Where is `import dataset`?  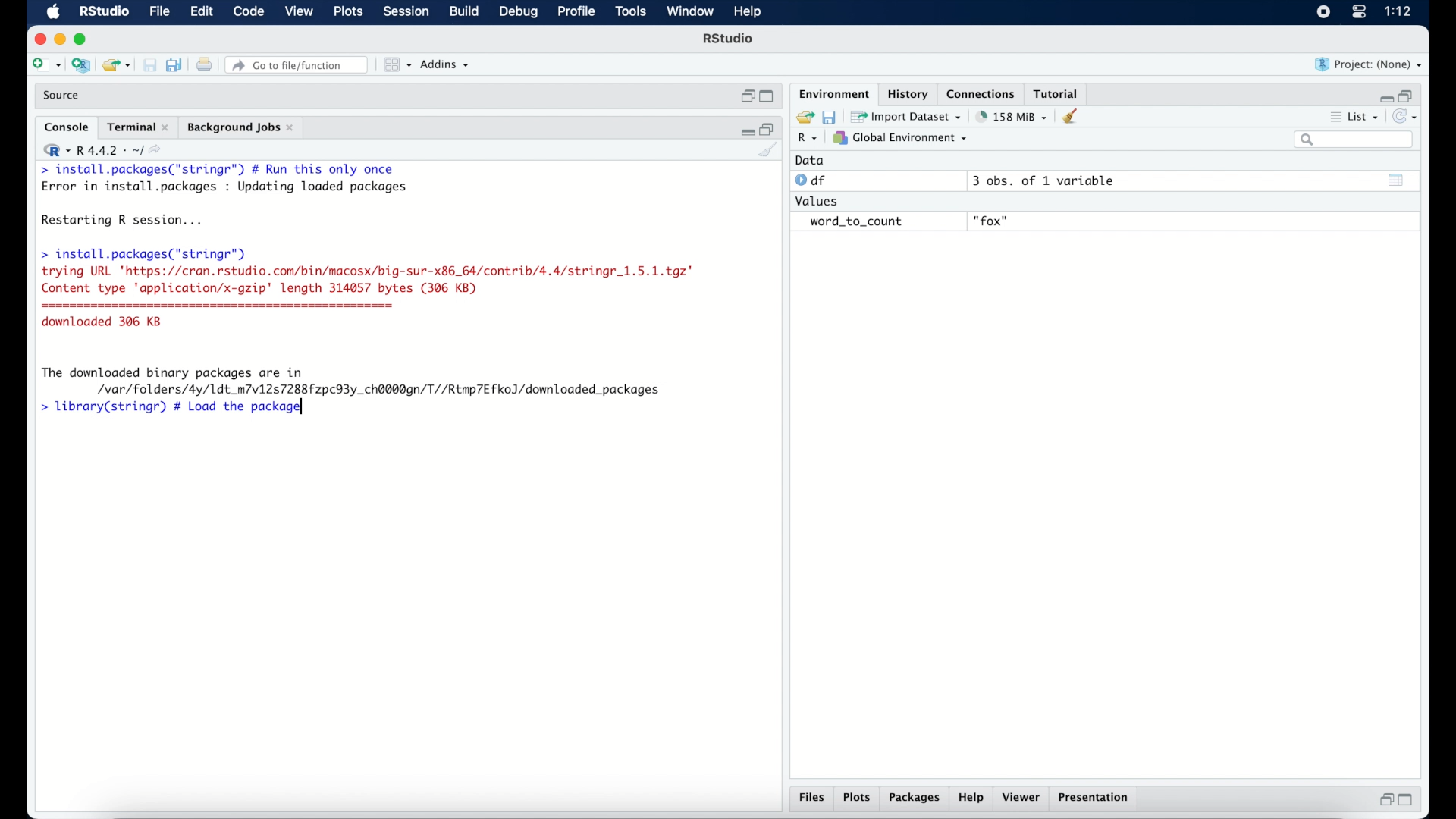 import dataset is located at coordinates (906, 117).